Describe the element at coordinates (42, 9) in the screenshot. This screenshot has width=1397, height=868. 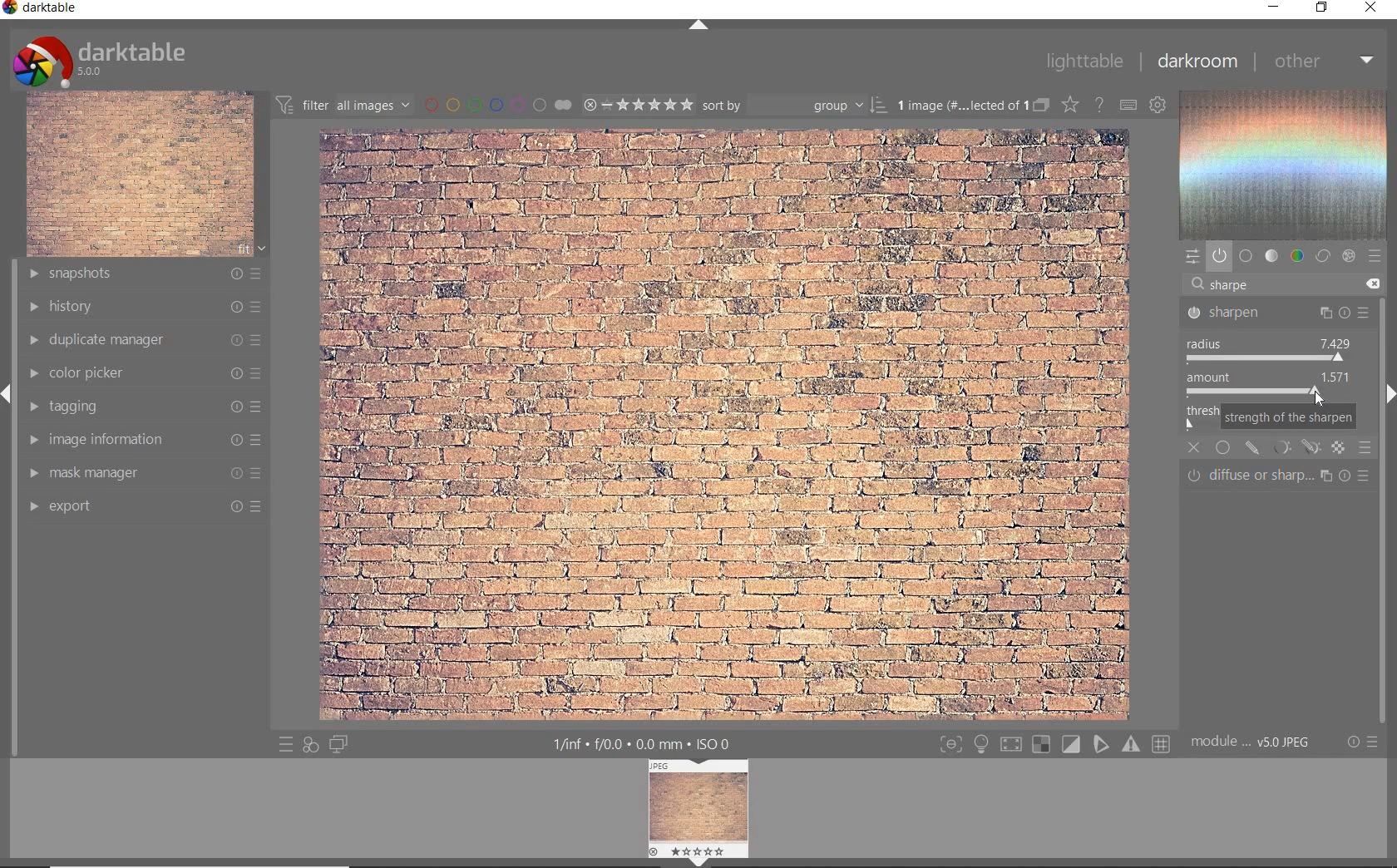
I see `darktable` at that location.